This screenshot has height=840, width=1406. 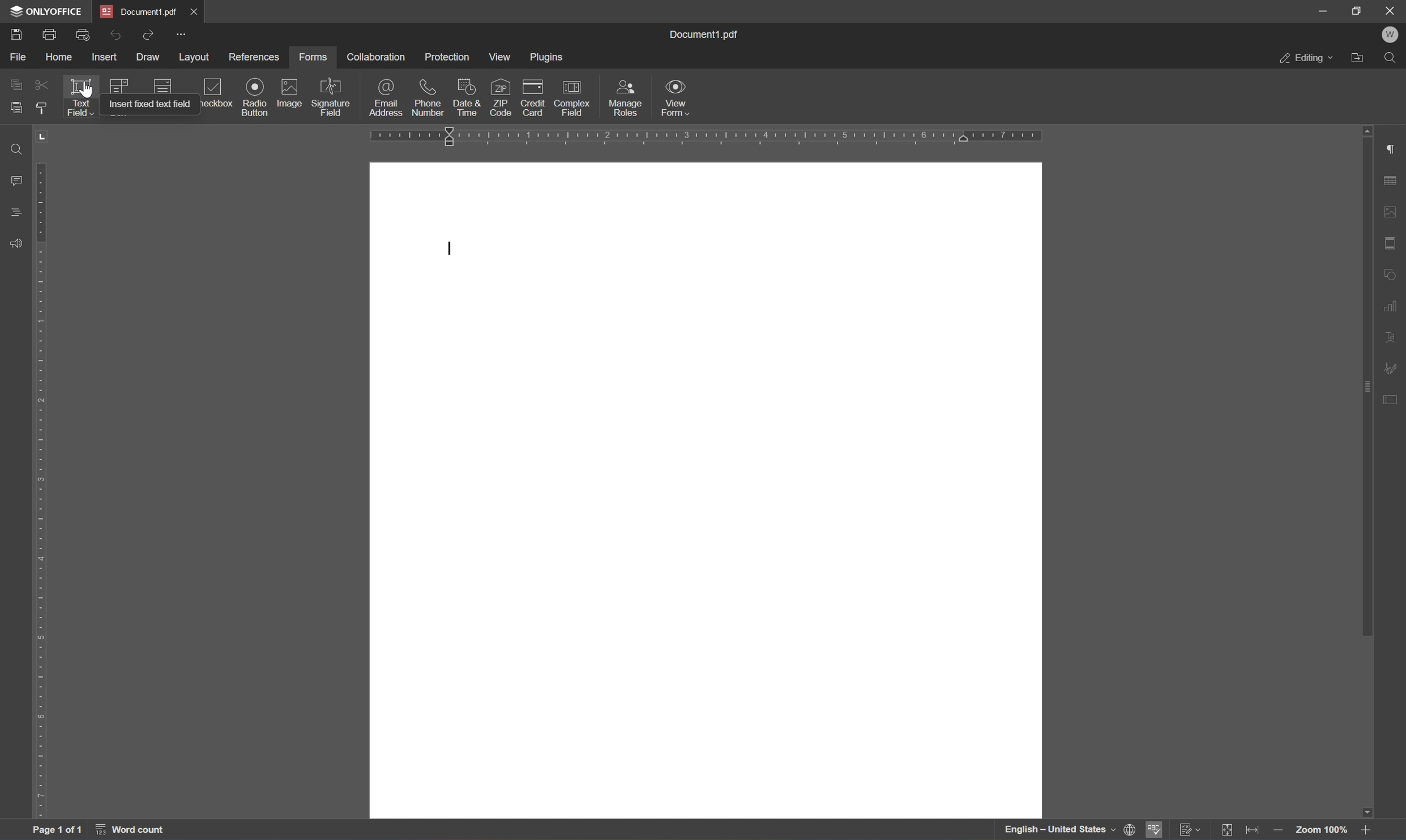 I want to click on welcome, so click(x=1390, y=36).